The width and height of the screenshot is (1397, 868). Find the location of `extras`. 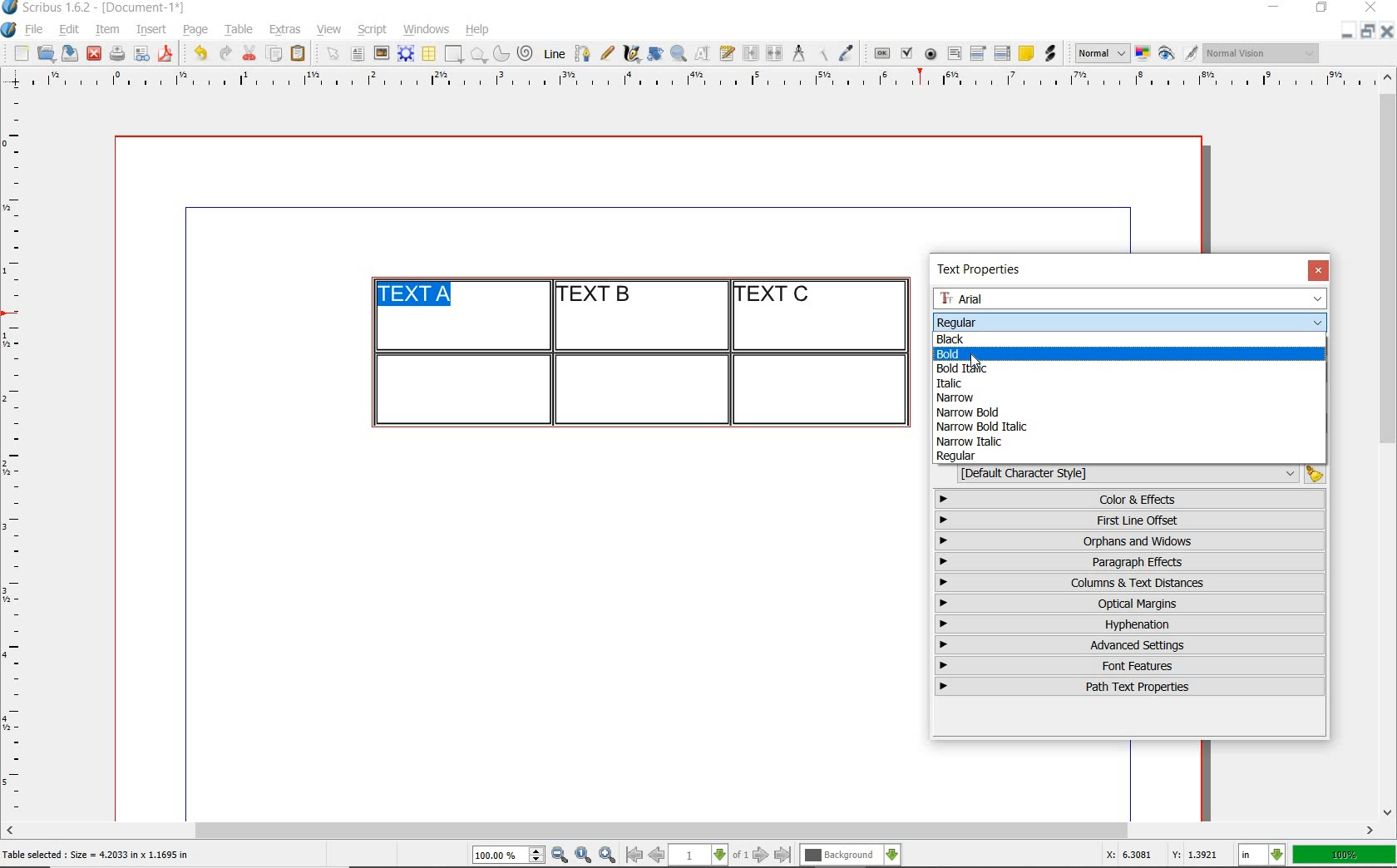

extras is located at coordinates (285, 31).